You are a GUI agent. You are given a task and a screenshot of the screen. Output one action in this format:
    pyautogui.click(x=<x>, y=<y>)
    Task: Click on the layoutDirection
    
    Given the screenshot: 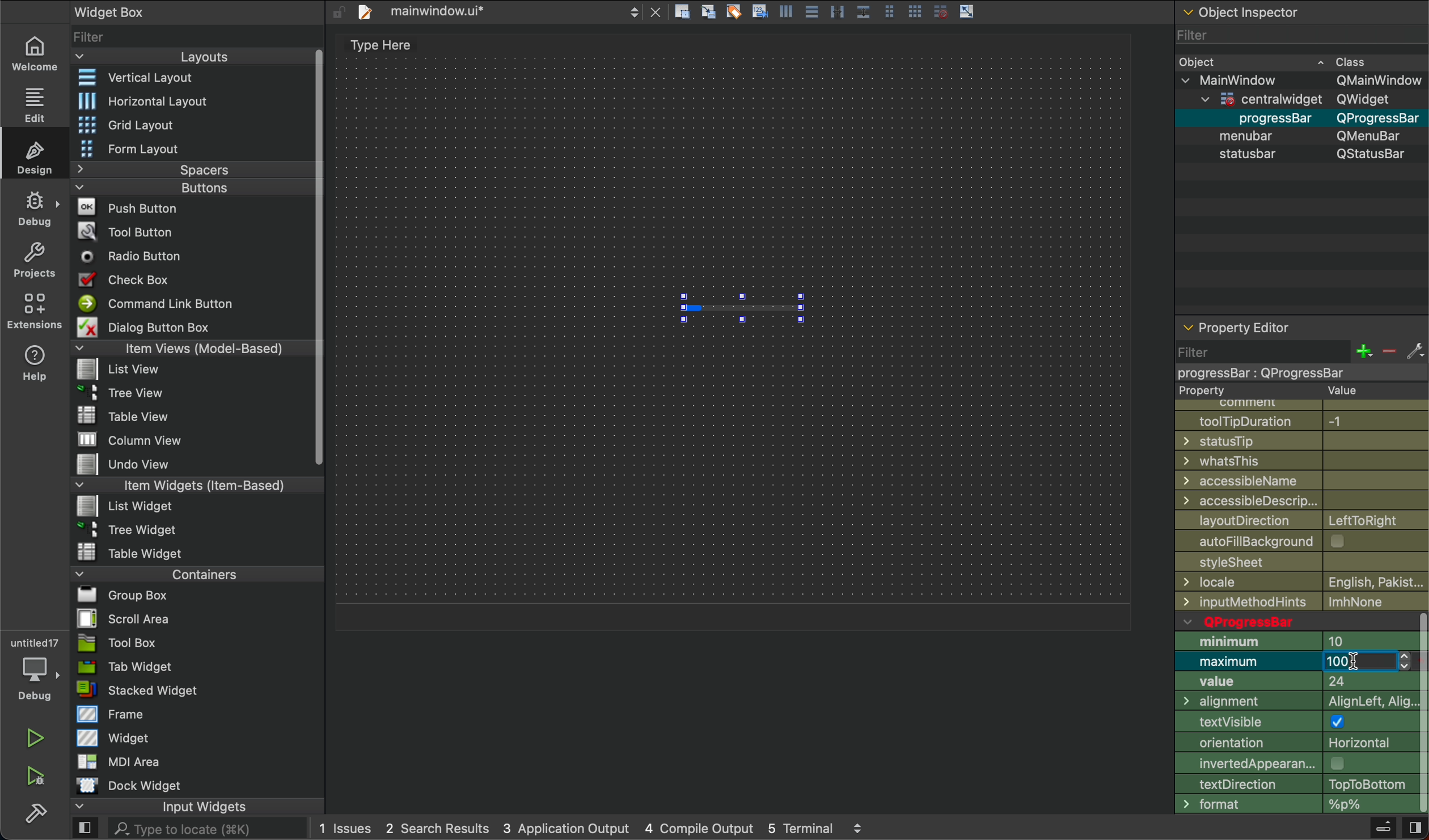 What is the action you would take?
    pyautogui.click(x=1302, y=519)
    